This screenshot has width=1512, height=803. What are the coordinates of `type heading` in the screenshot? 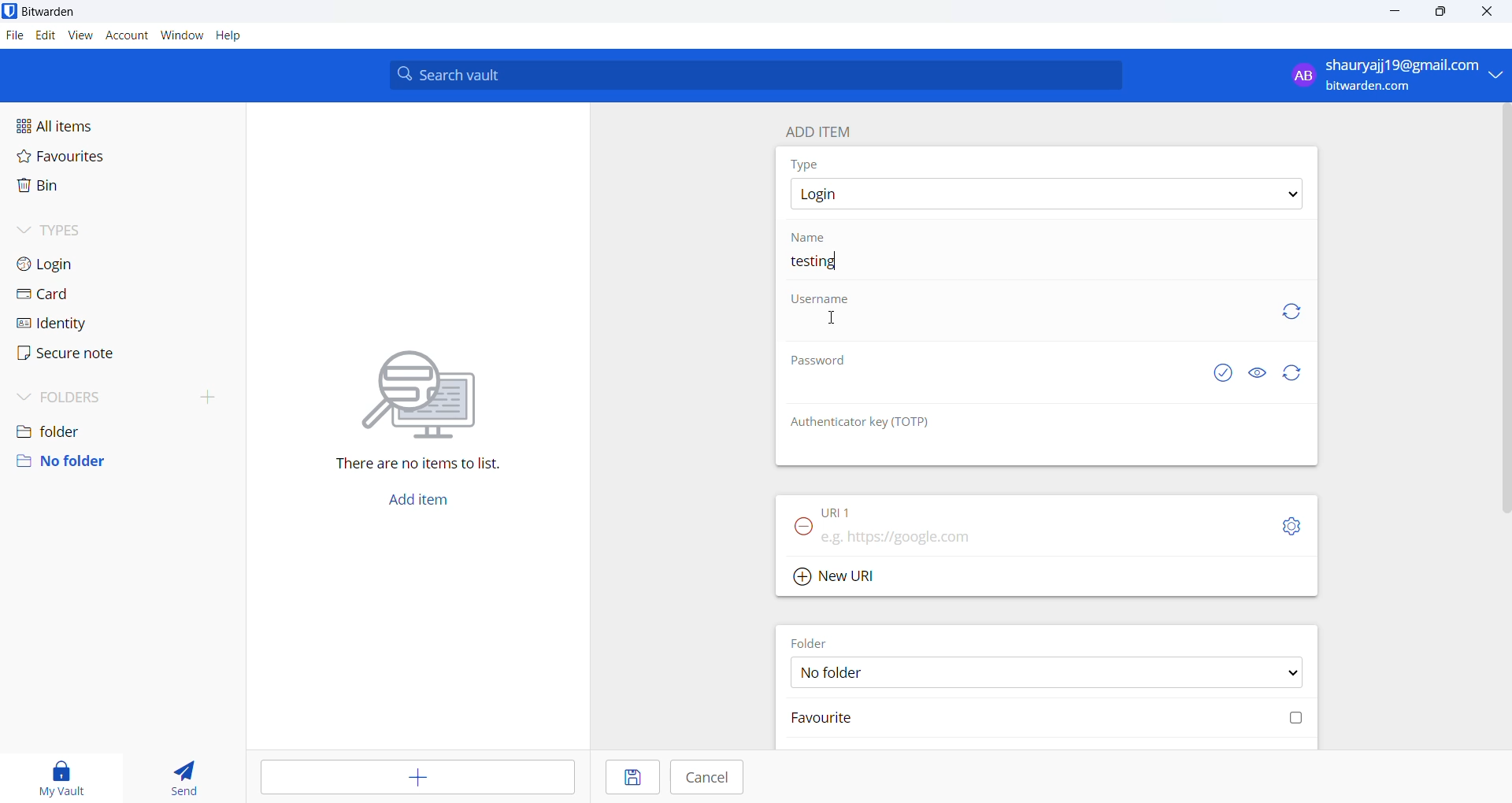 It's located at (806, 164).